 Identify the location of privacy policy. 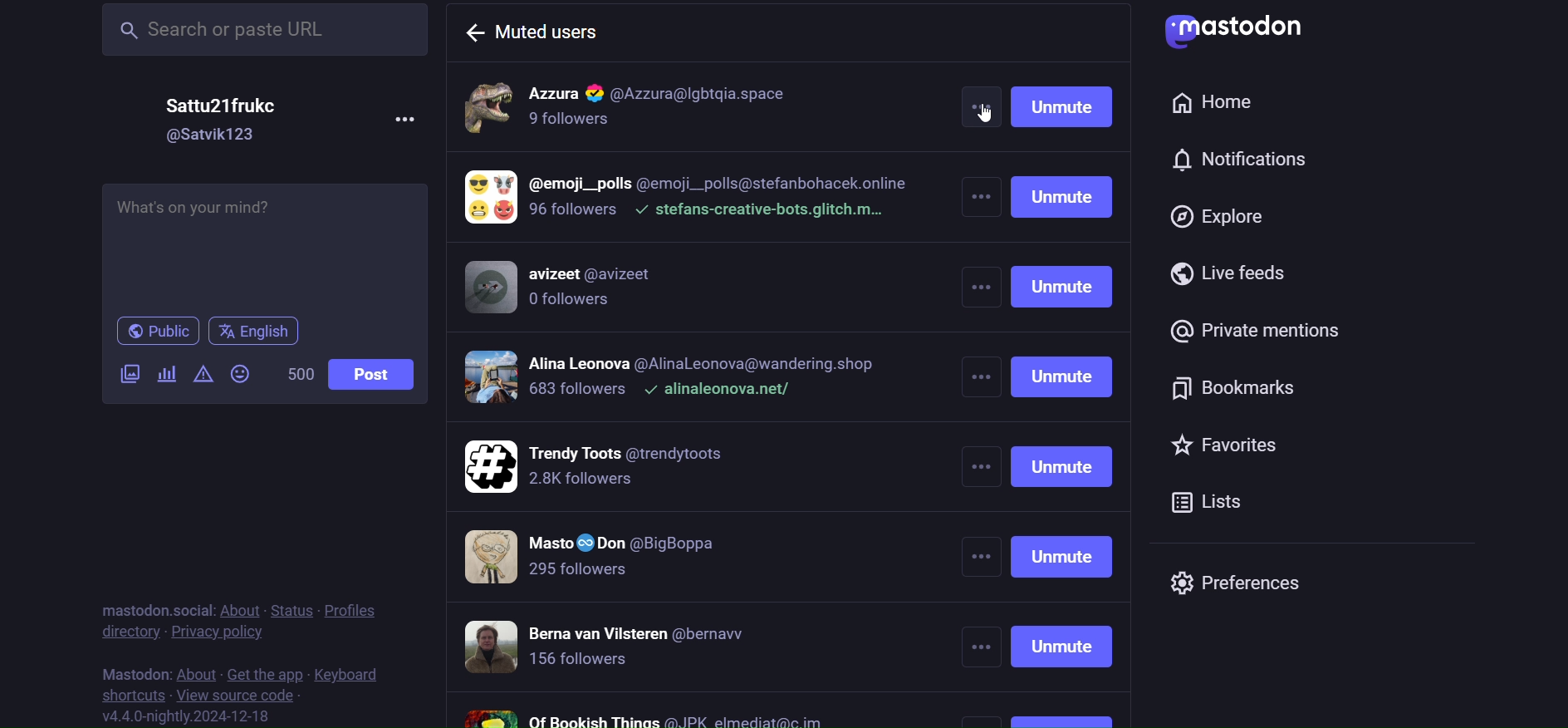
(217, 633).